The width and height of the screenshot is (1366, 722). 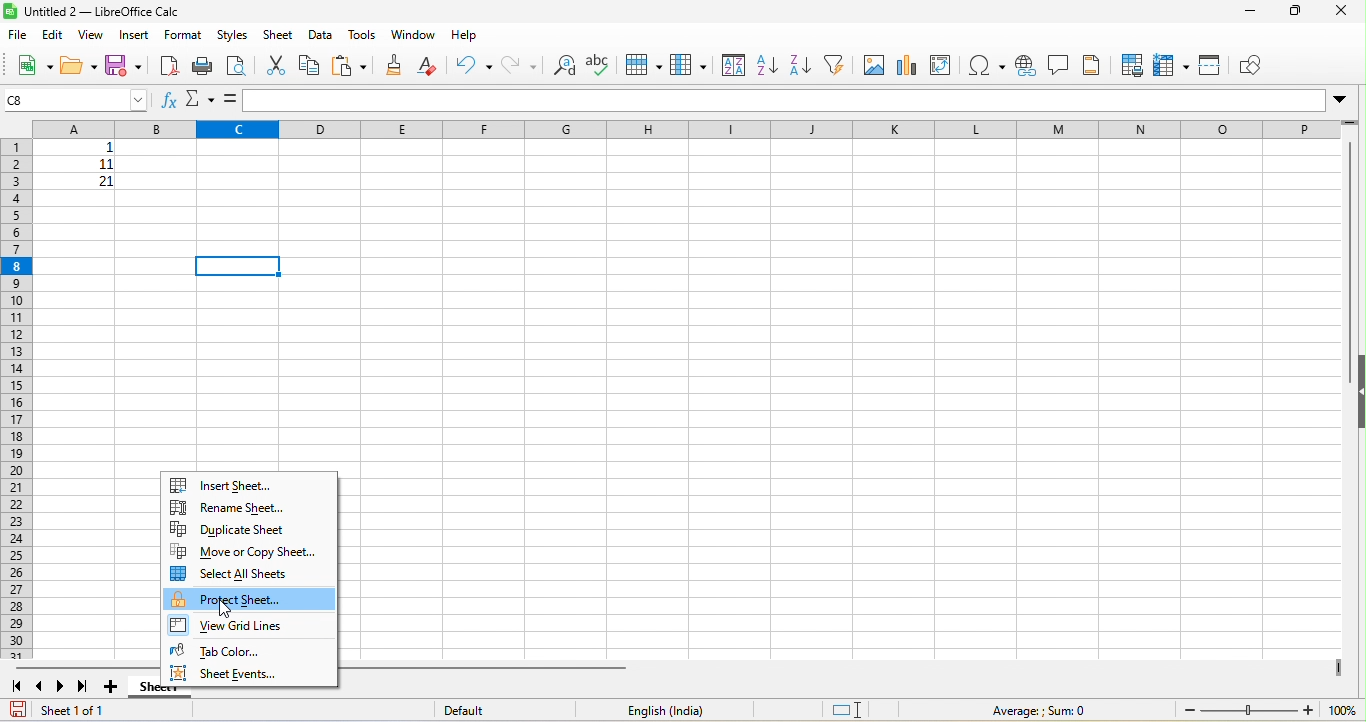 What do you see at coordinates (561, 65) in the screenshot?
I see `find and replace` at bounding box center [561, 65].